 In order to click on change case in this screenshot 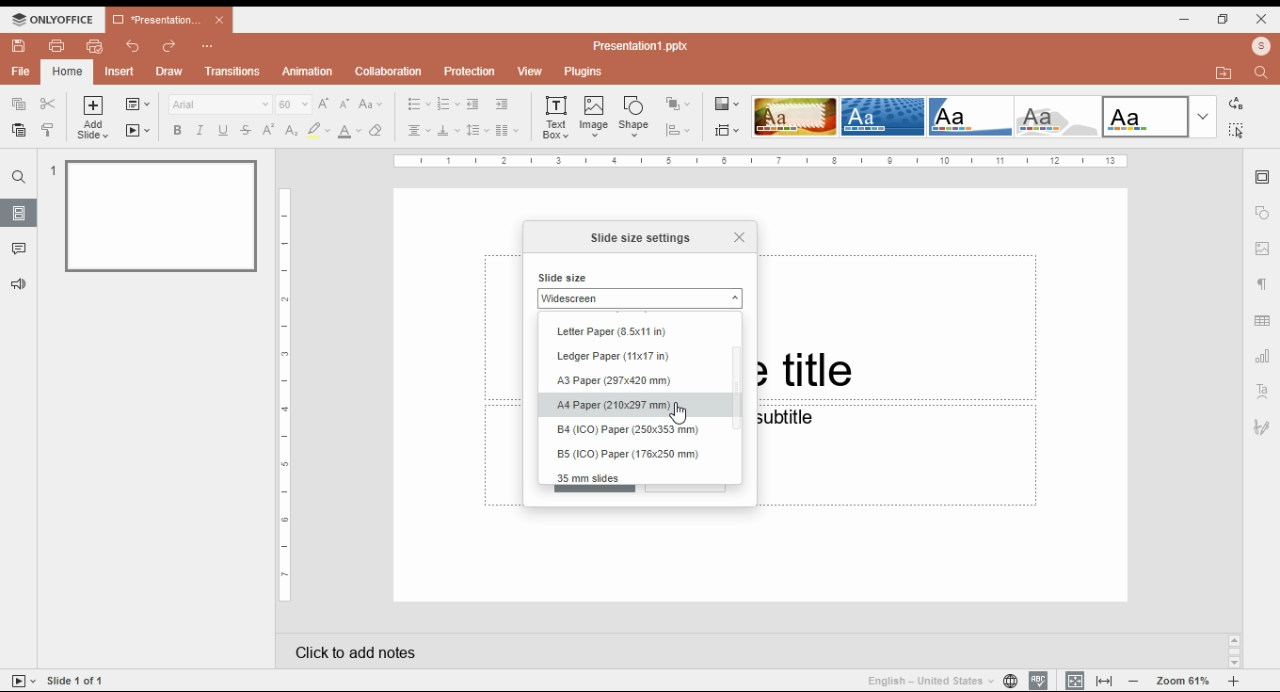, I will do `click(371, 104)`.